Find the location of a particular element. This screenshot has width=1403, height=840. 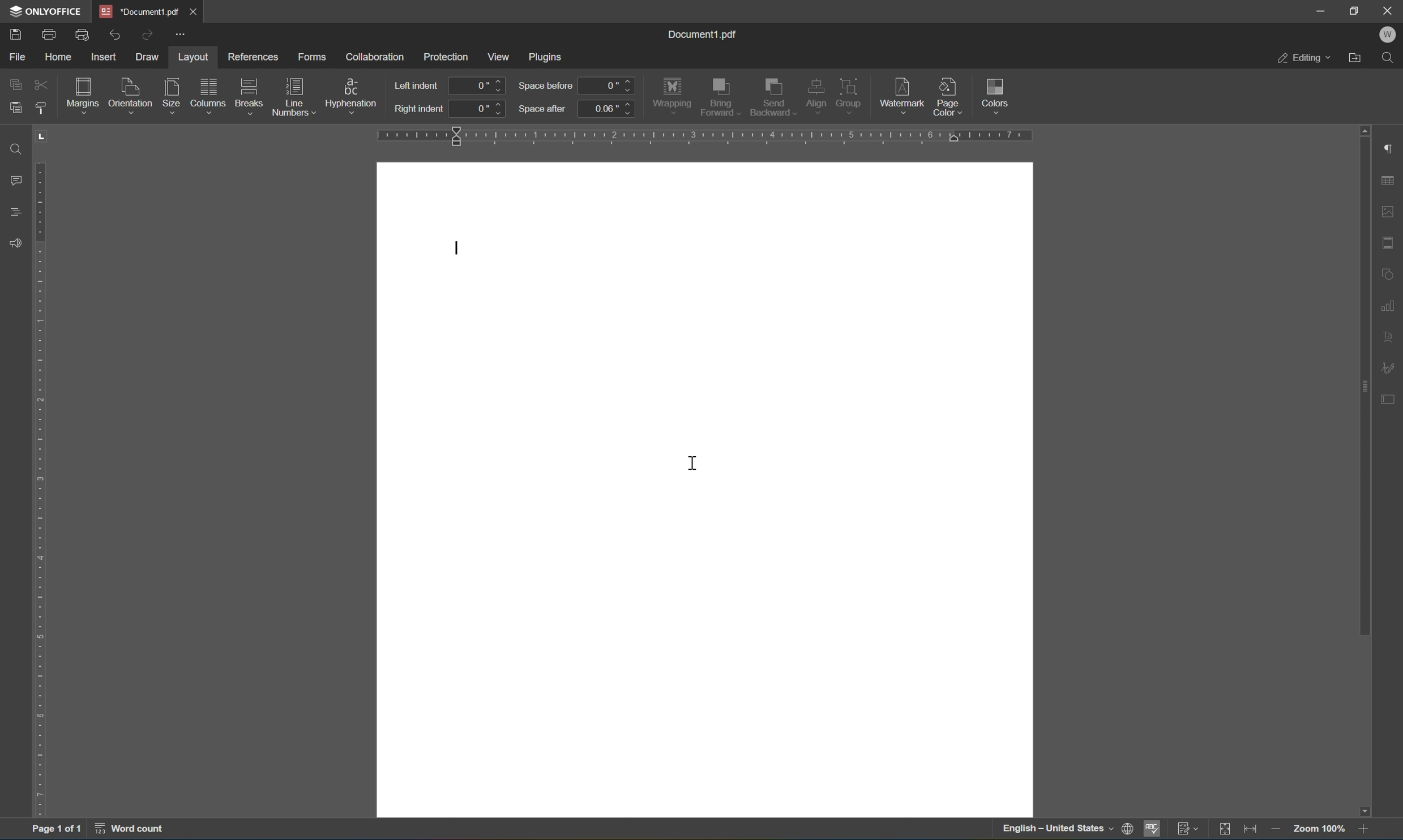

field is located at coordinates (41, 85).